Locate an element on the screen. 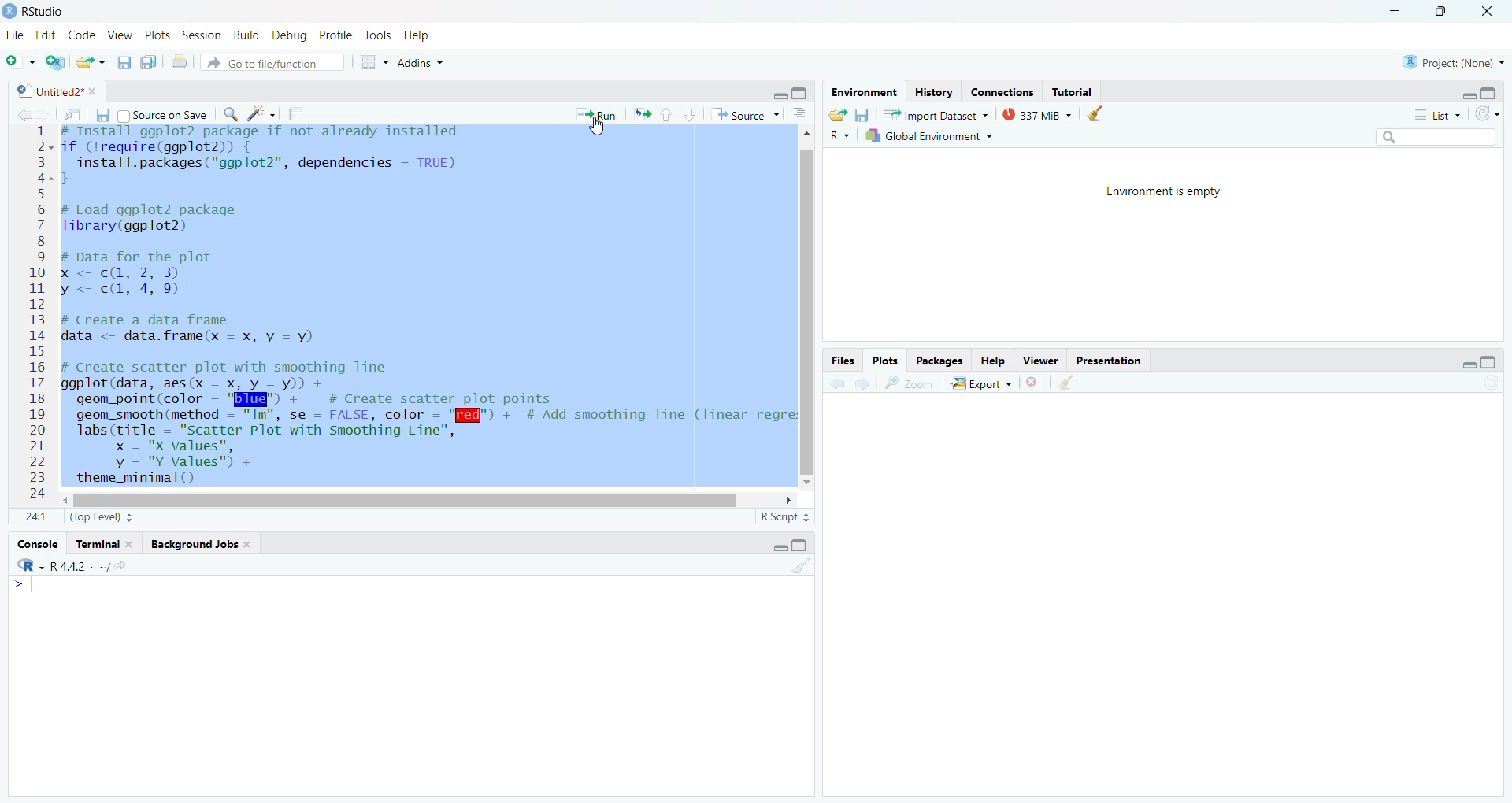 This screenshot has height=803, width=1512. Code is located at coordinates (83, 35).